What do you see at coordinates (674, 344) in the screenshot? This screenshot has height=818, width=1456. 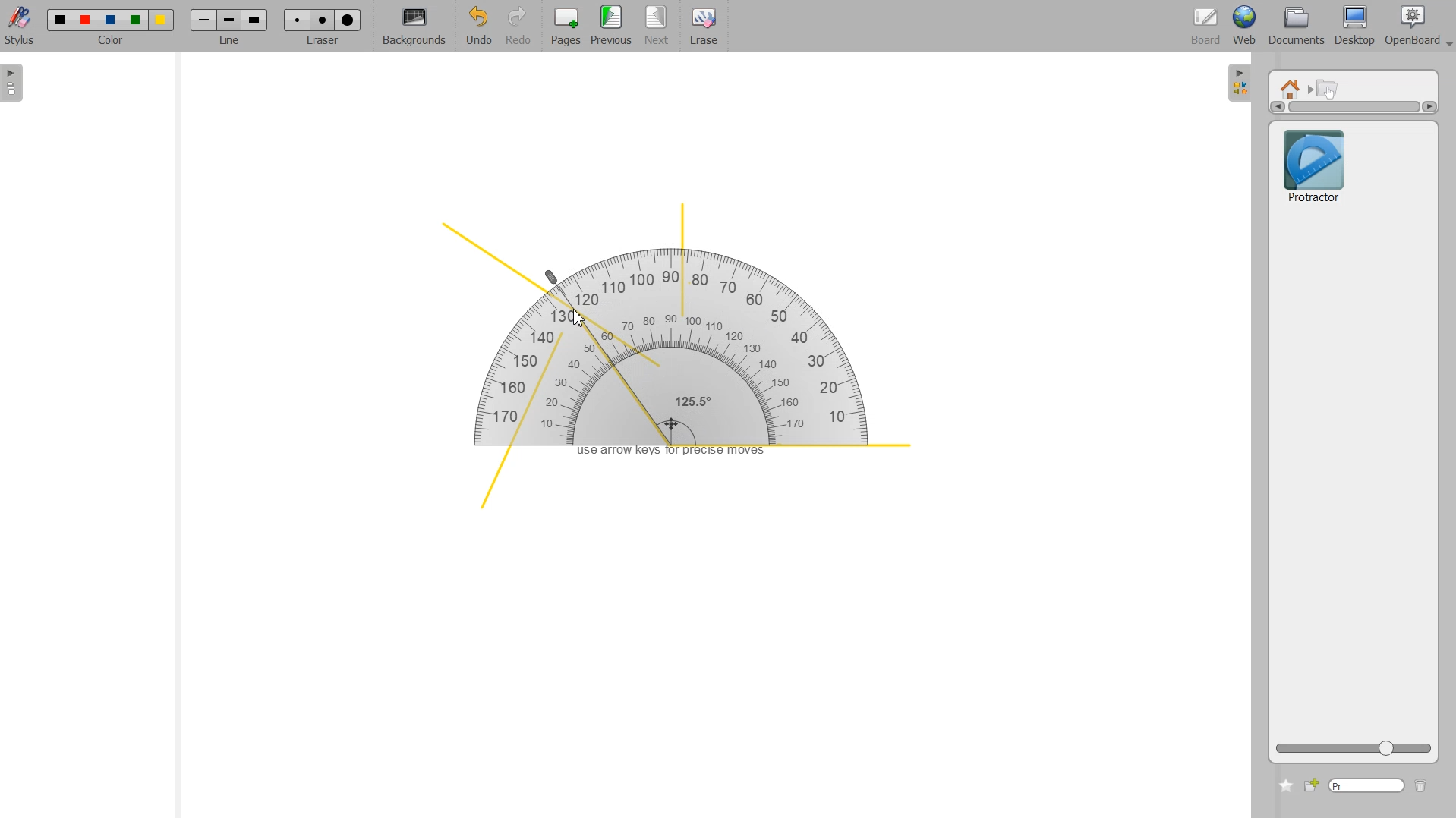 I see `Protractor` at bounding box center [674, 344].